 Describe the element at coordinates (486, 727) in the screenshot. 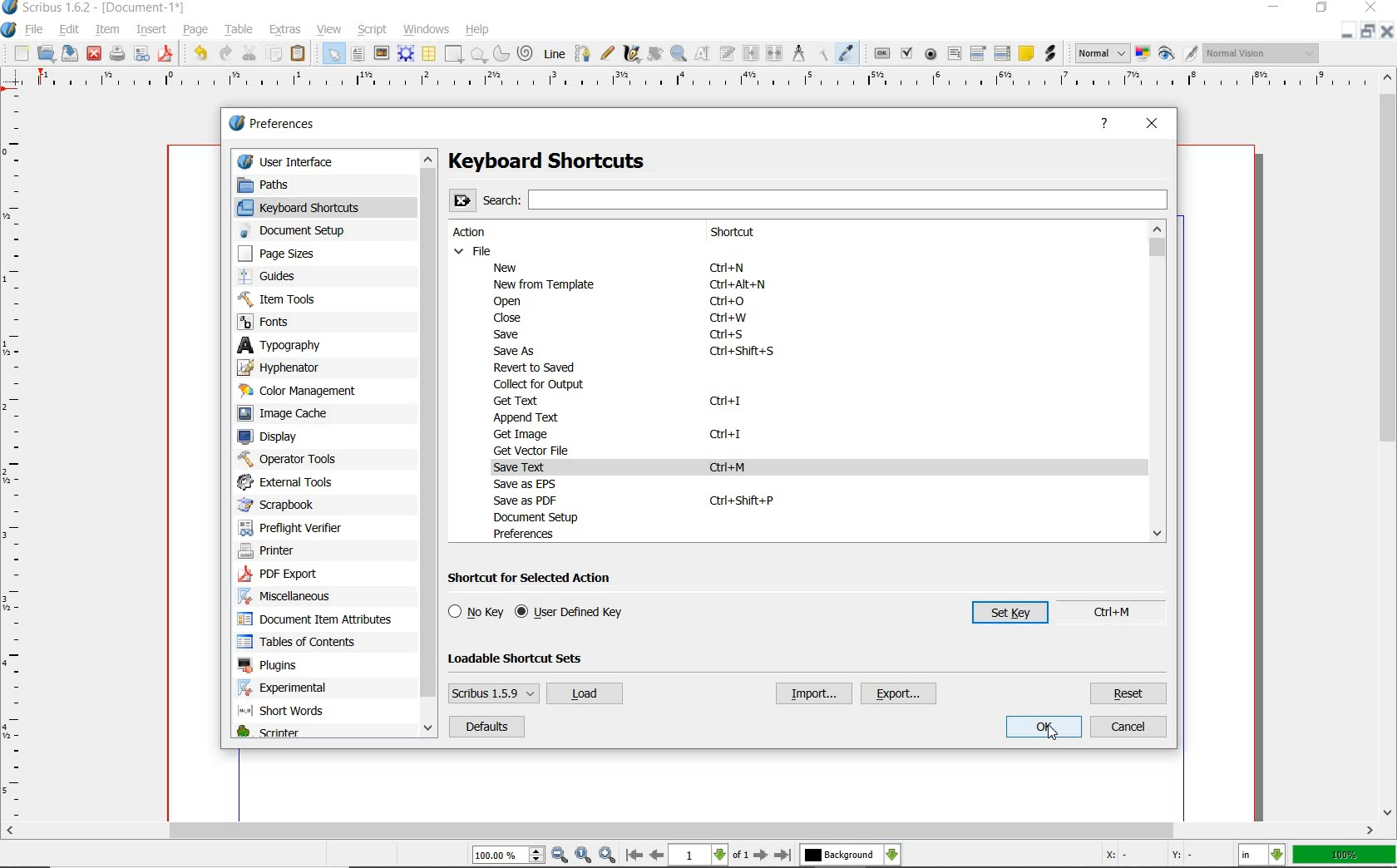

I see `default` at that location.